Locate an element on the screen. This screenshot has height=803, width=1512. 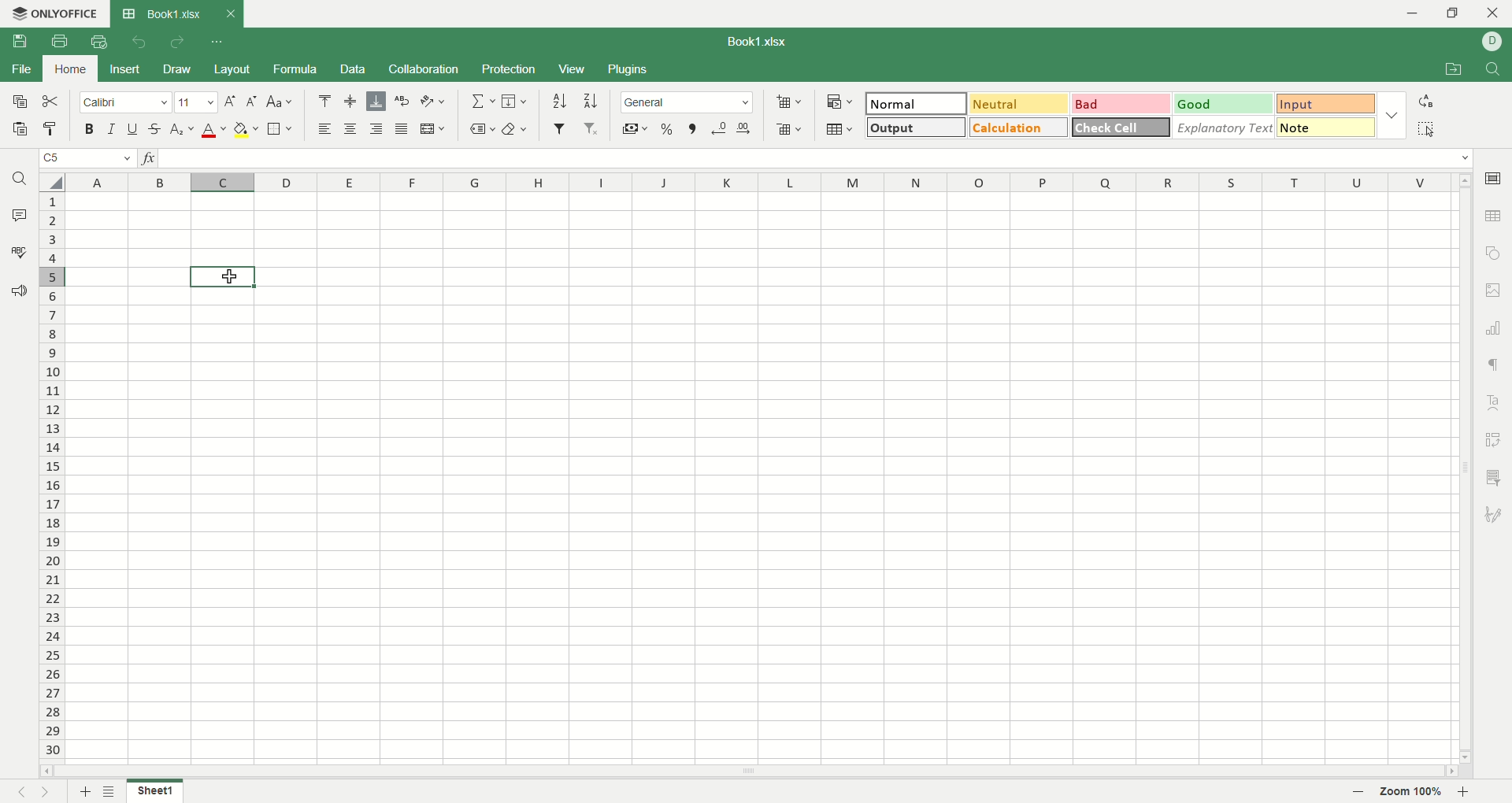
summation is located at coordinates (481, 102).